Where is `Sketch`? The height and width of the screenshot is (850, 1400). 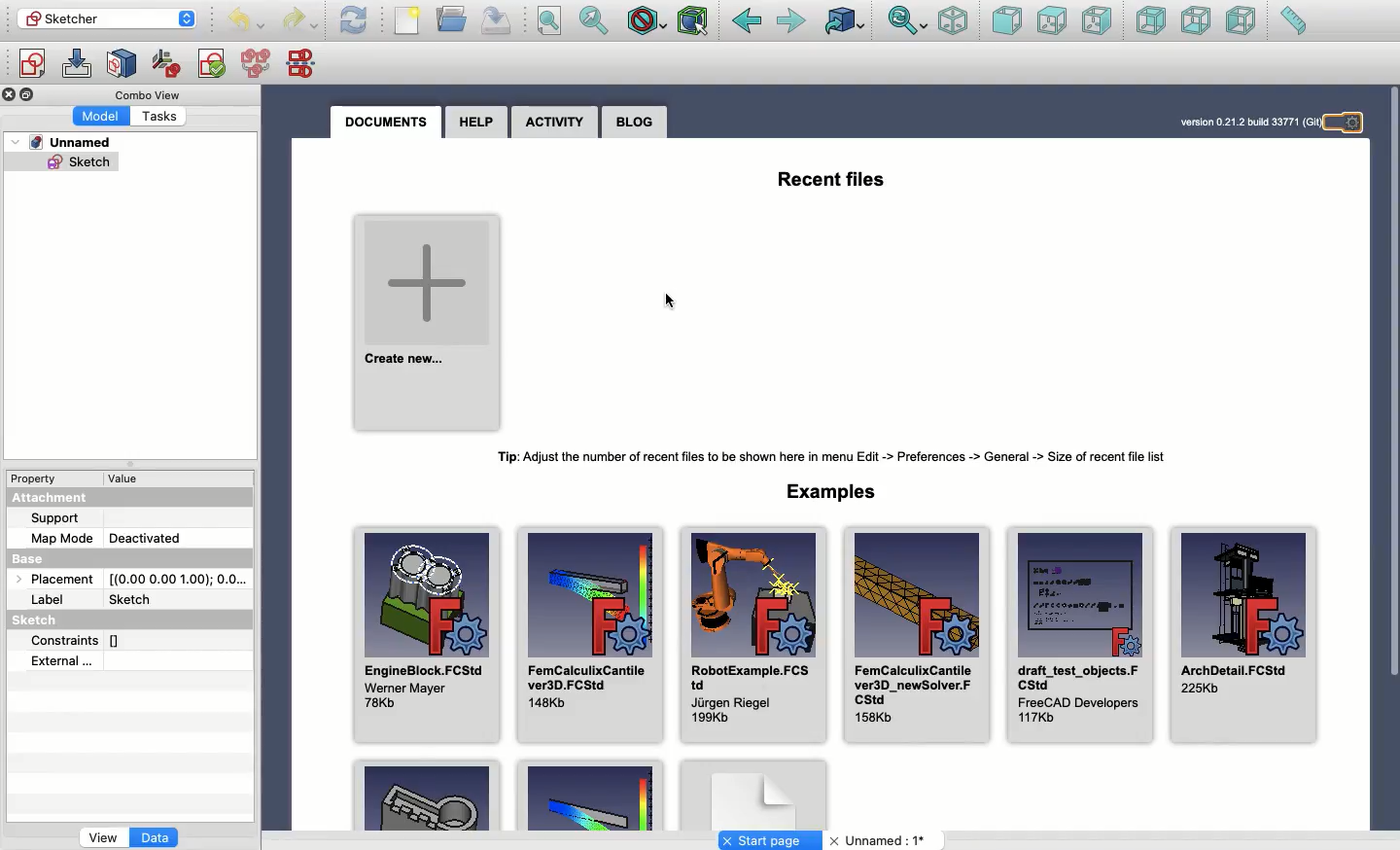 Sketch is located at coordinates (58, 620).